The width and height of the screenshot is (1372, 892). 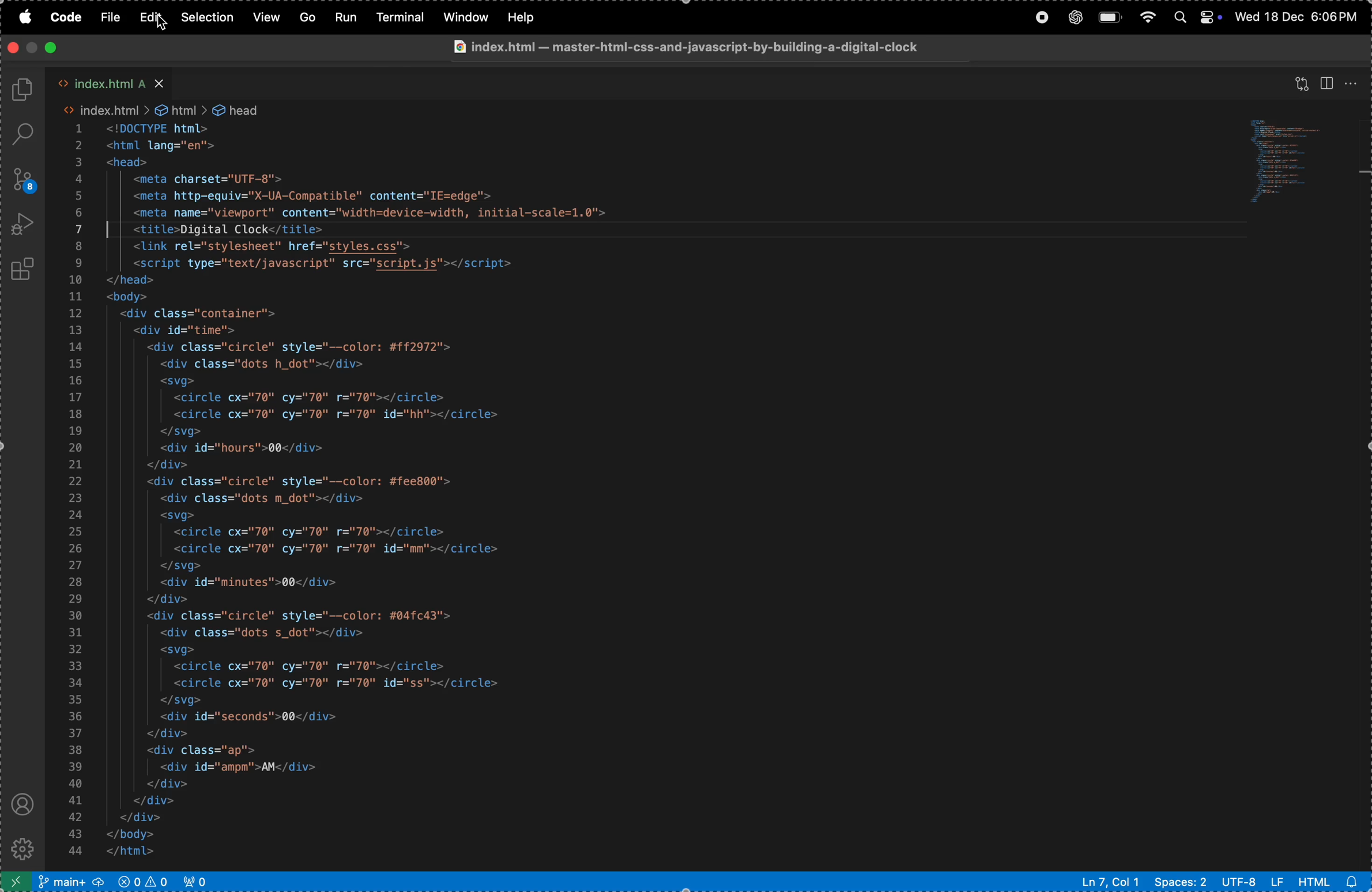 What do you see at coordinates (26, 134) in the screenshot?
I see `search` at bounding box center [26, 134].